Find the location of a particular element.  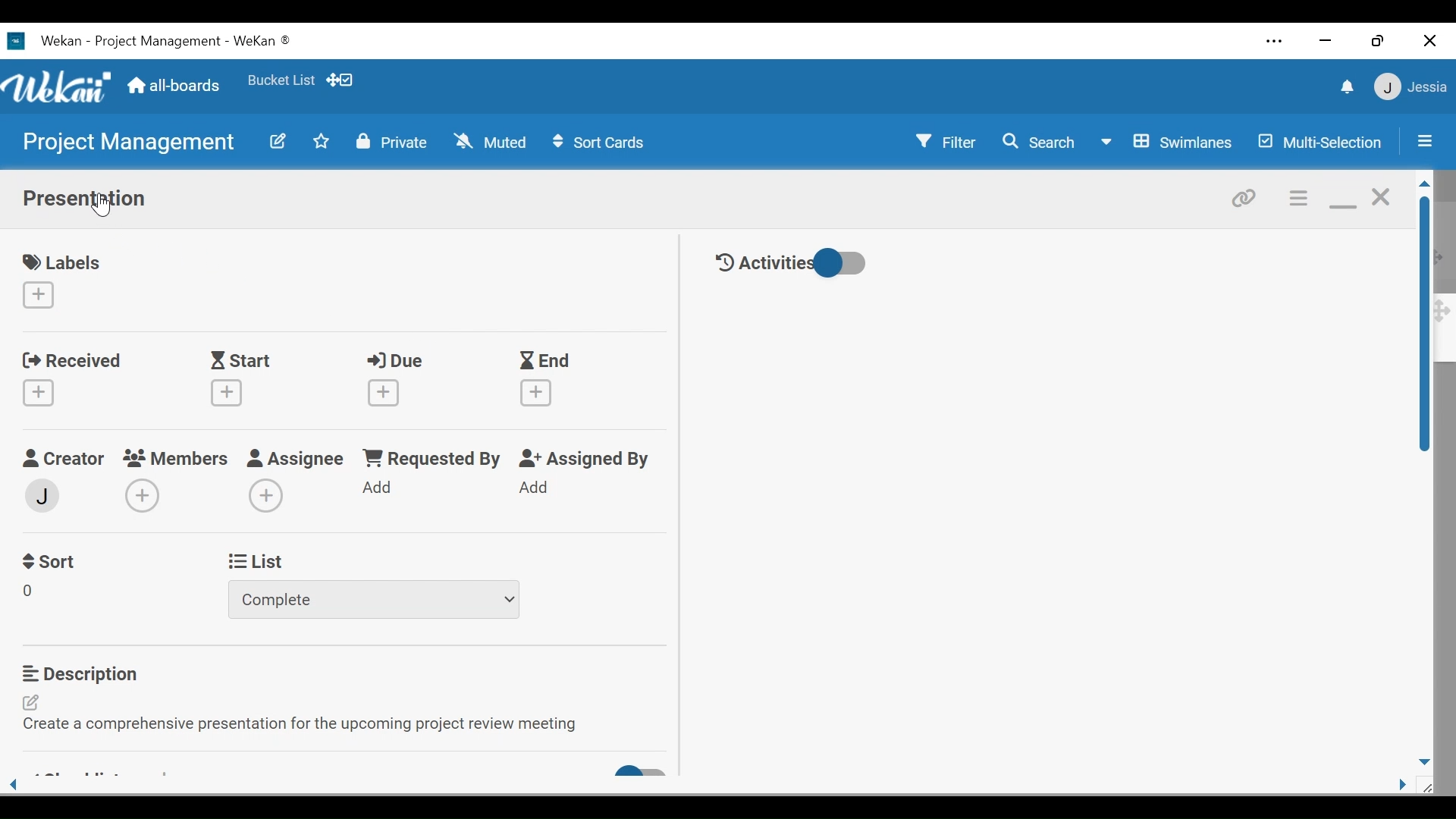

Board Title is located at coordinates (129, 145).